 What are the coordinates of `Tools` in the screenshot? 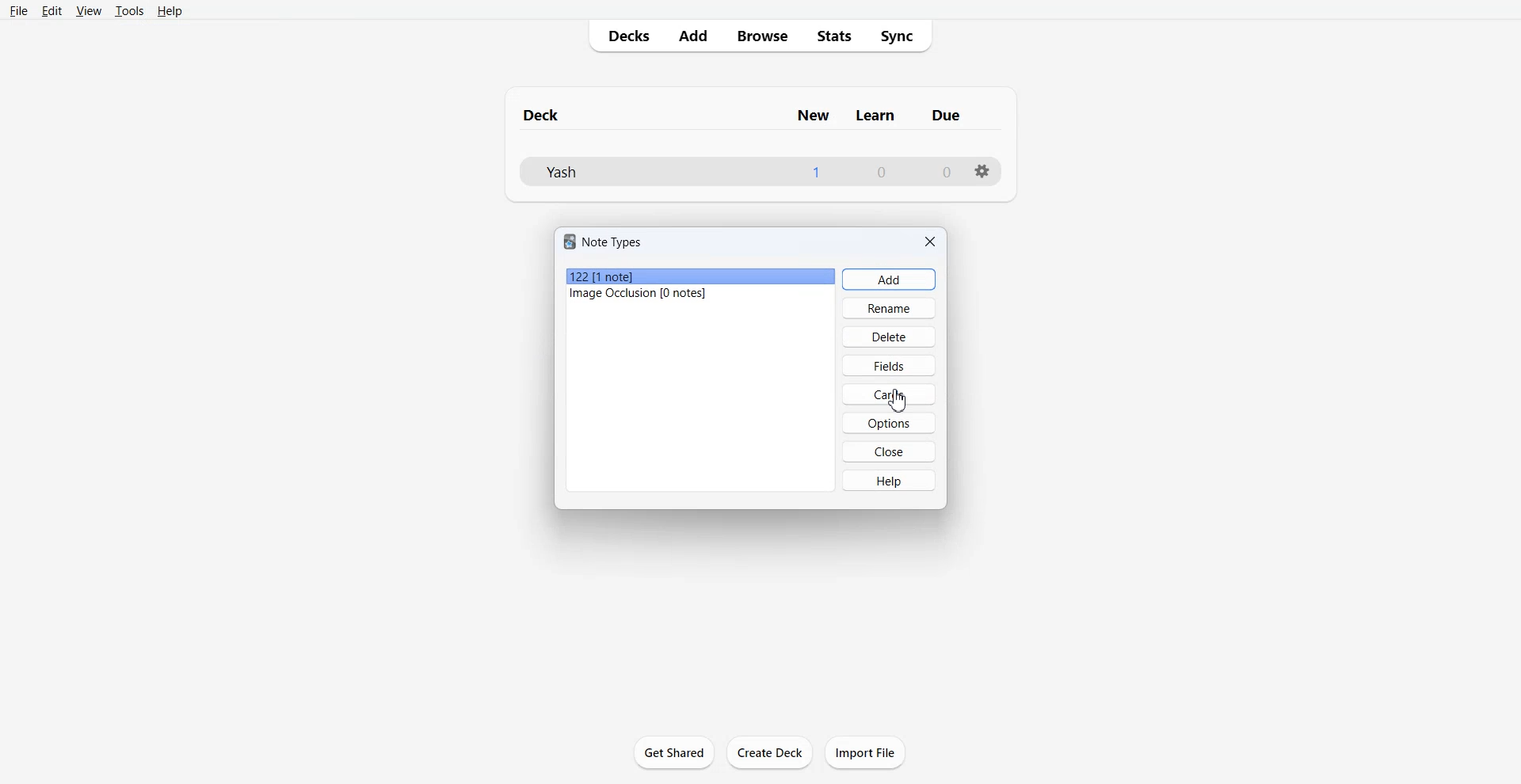 It's located at (130, 10).